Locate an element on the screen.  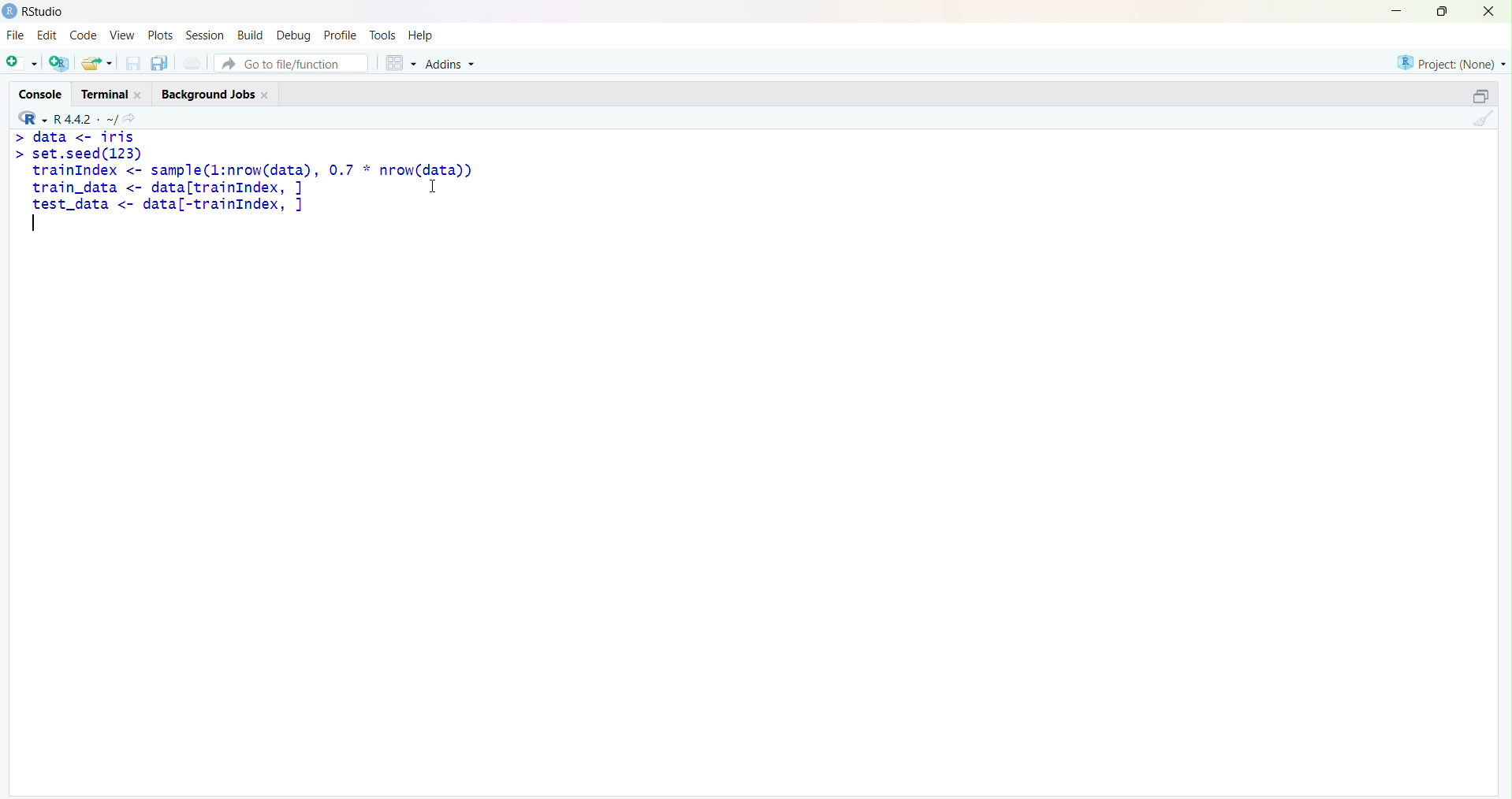
View is located at coordinates (121, 35).